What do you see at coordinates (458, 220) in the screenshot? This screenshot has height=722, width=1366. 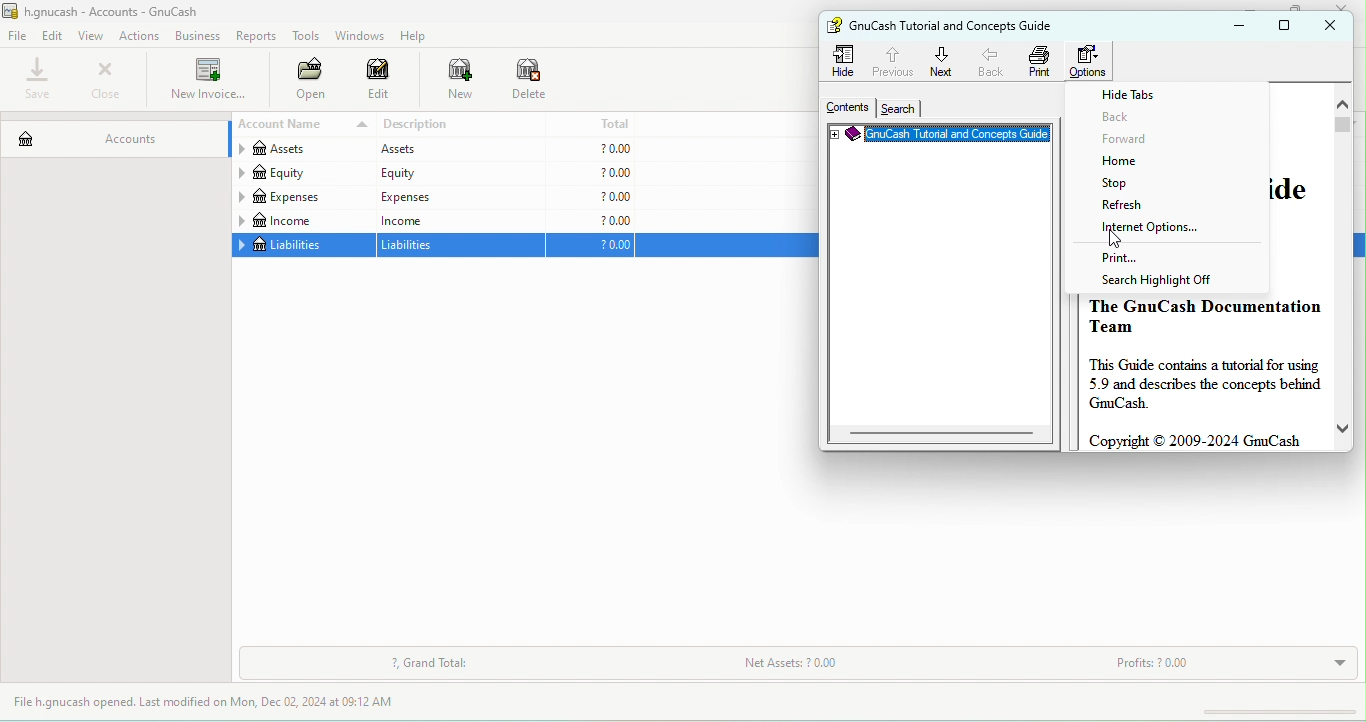 I see `income` at bounding box center [458, 220].